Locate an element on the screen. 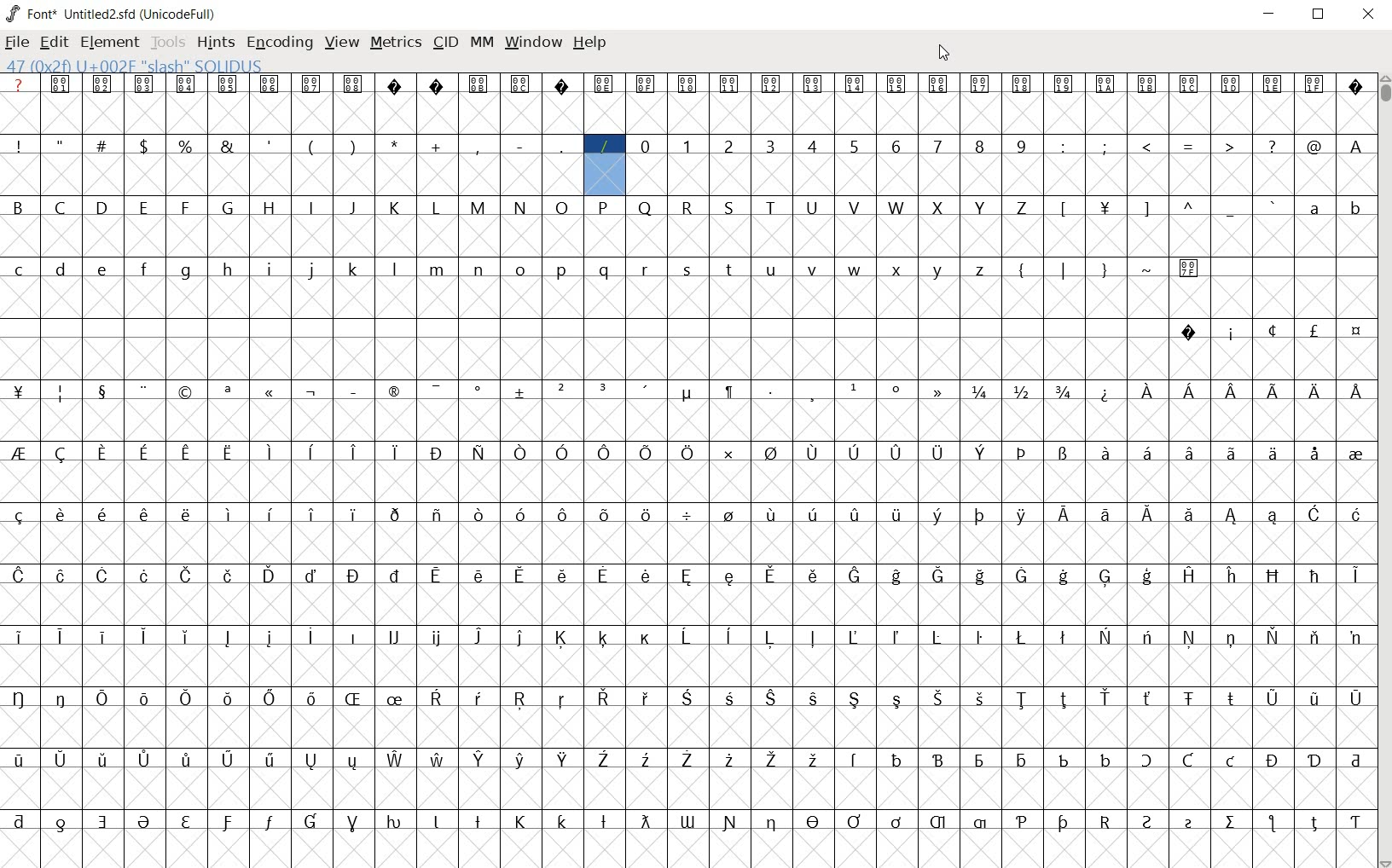 This screenshot has width=1392, height=868. glyph is located at coordinates (814, 821).